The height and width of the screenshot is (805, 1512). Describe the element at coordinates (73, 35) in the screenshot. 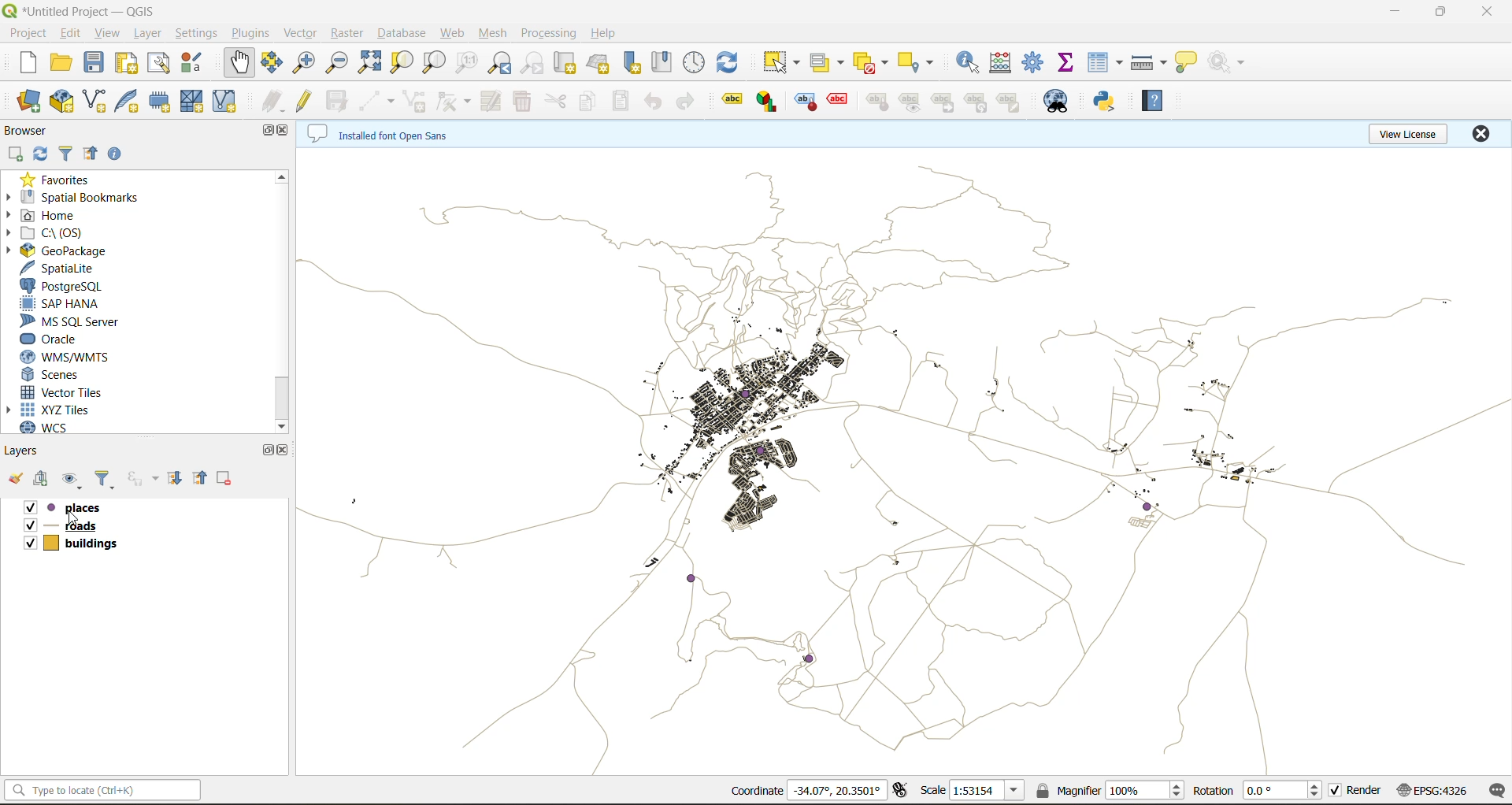

I see `edit` at that location.